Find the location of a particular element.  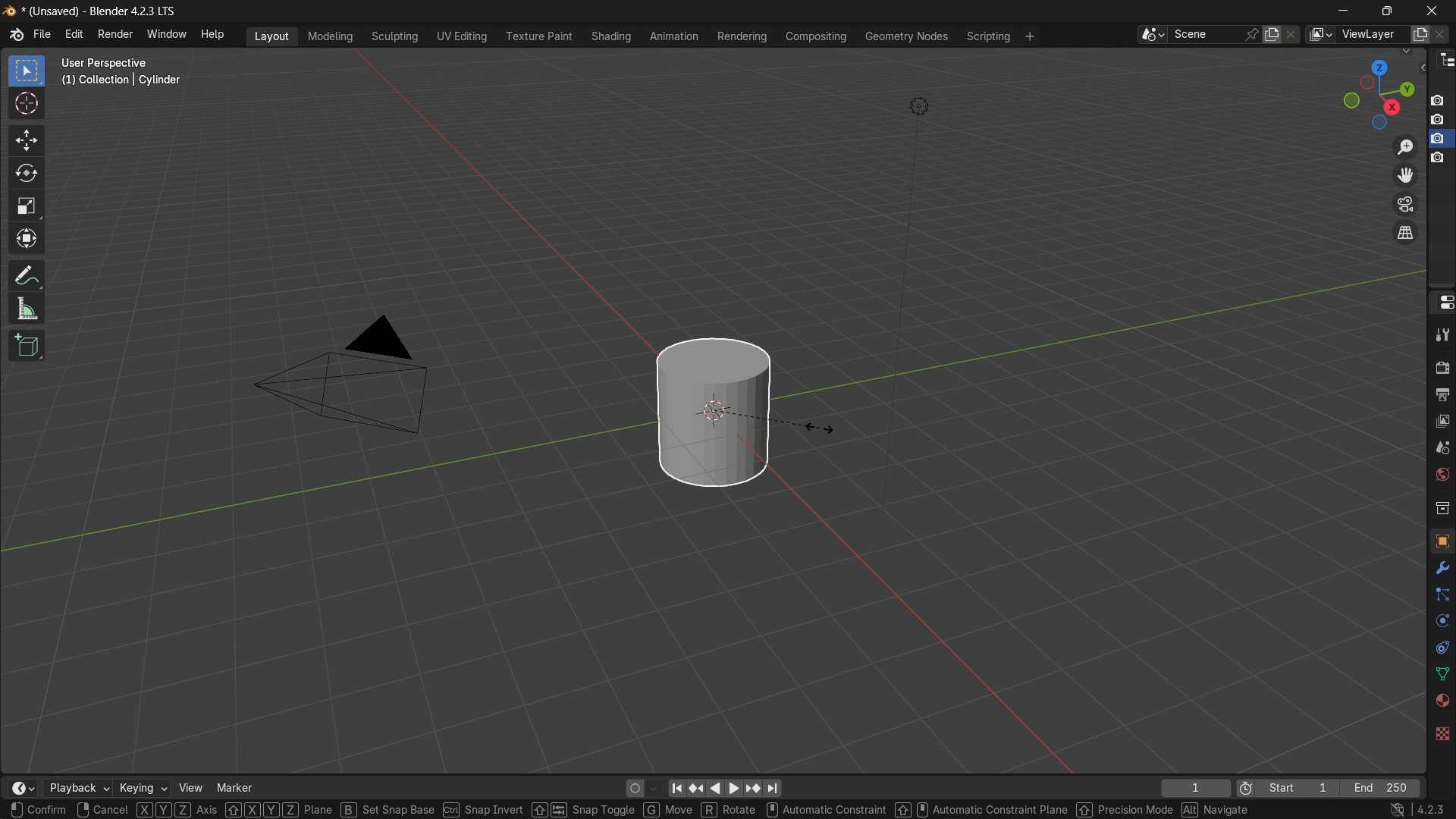

view is located at coordinates (190, 788).